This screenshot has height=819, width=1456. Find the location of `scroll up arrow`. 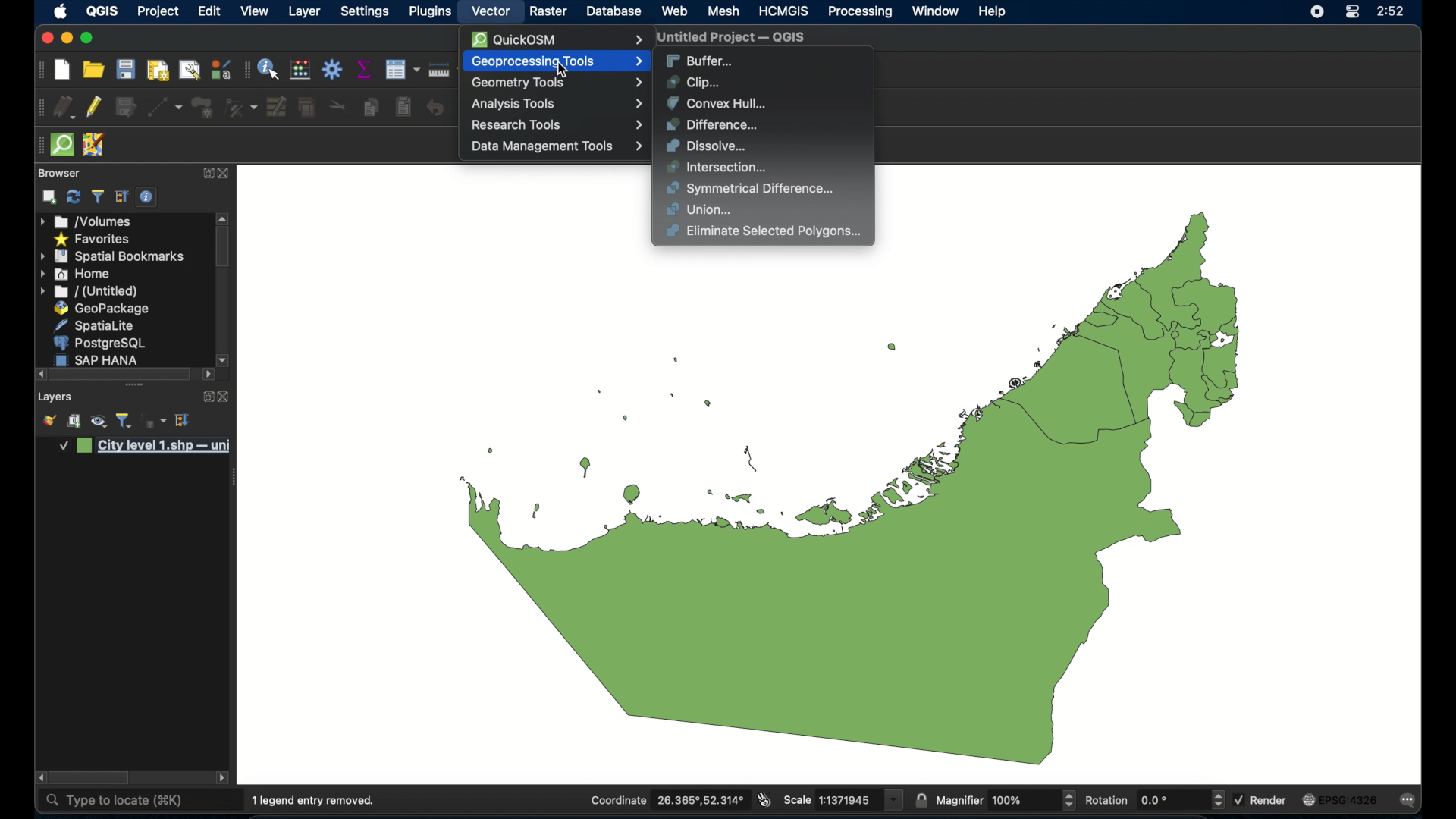

scroll up arrow is located at coordinates (224, 217).